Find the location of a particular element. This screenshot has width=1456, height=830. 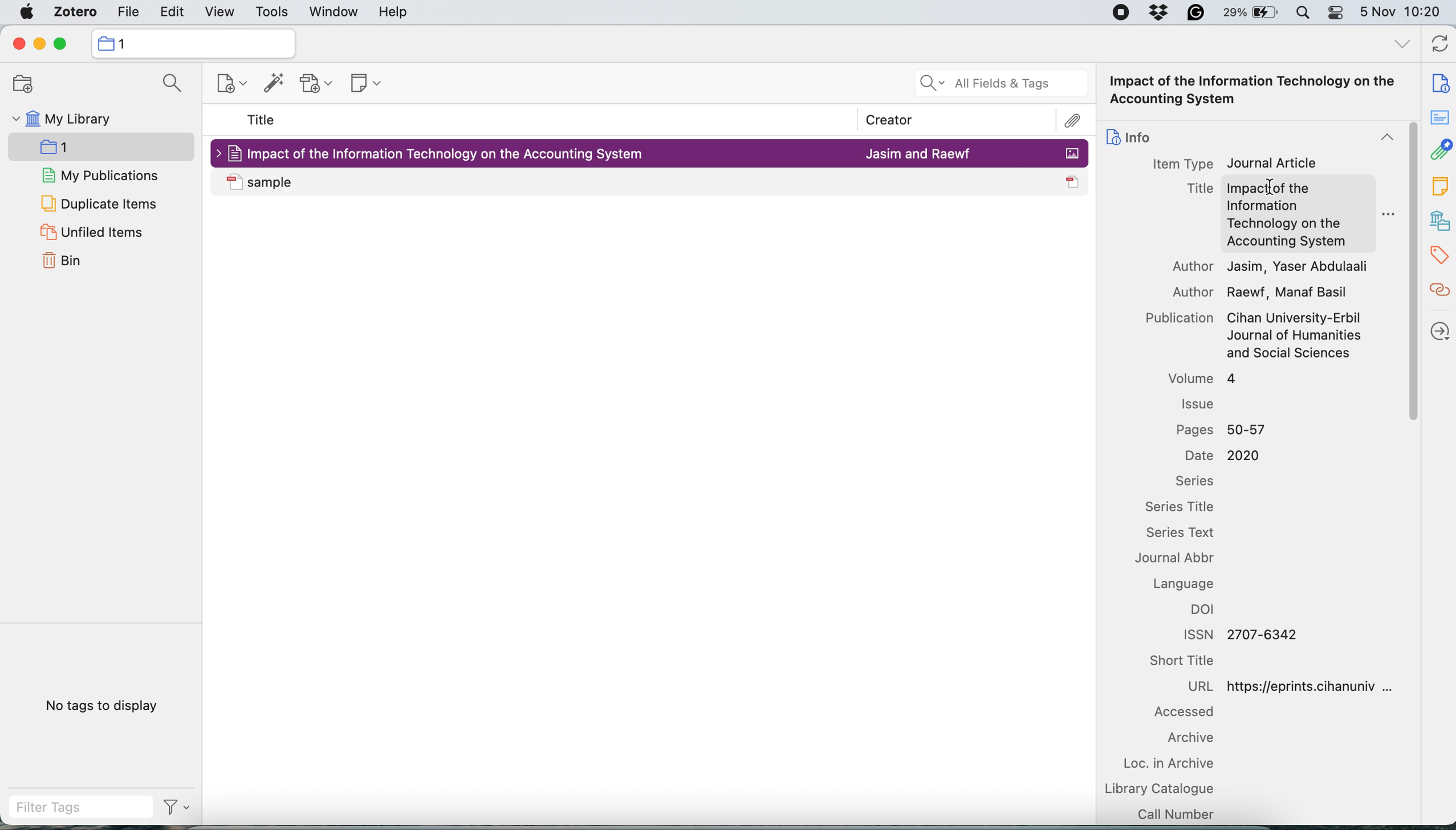

volume 4 is located at coordinates (1204, 377).